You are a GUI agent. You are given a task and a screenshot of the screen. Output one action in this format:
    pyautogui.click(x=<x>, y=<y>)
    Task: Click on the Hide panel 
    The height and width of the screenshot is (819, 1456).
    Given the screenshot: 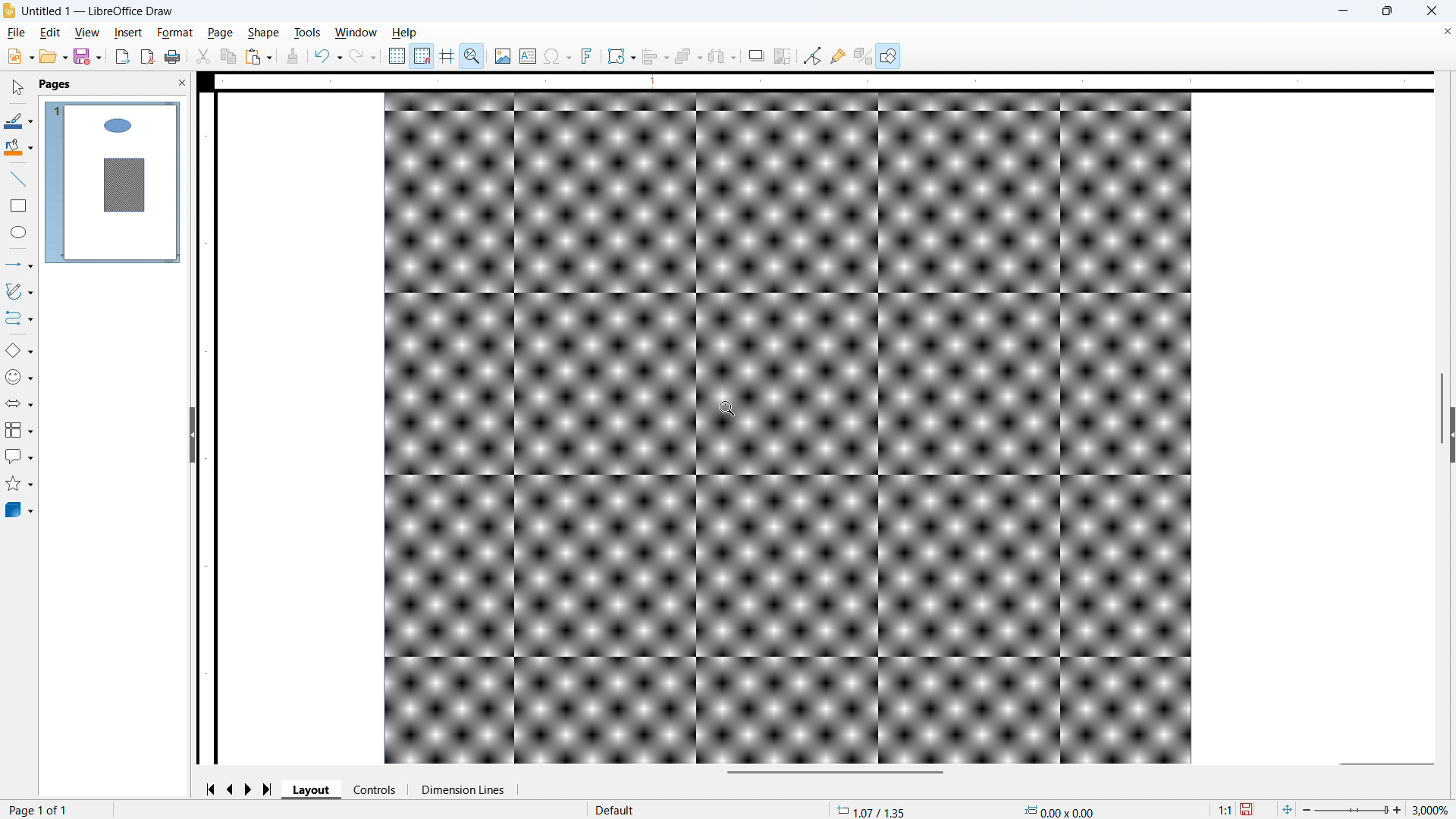 What is the action you would take?
    pyautogui.click(x=191, y=434)
    